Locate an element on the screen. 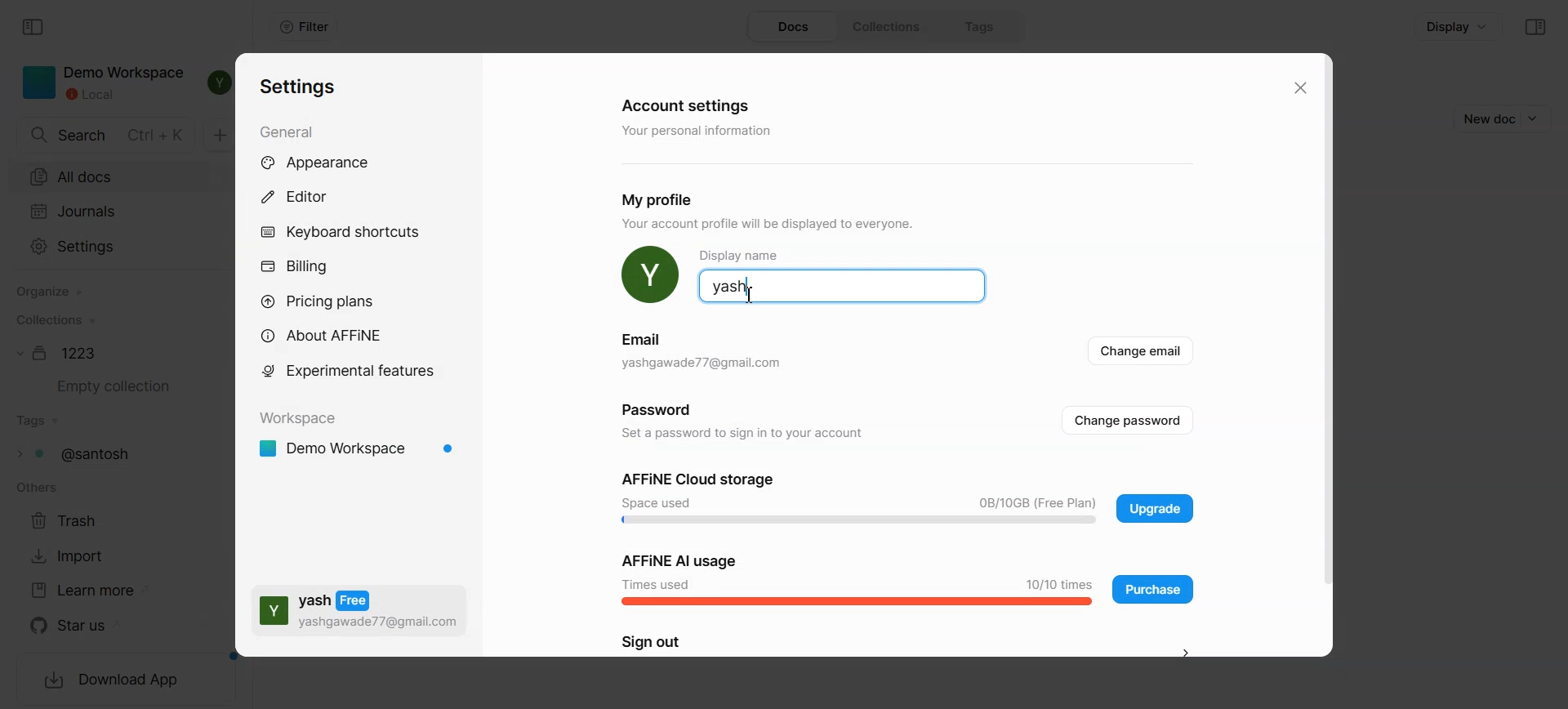 This screenshot has height=709, width=1568. Document is located at coordinates (61, 353).